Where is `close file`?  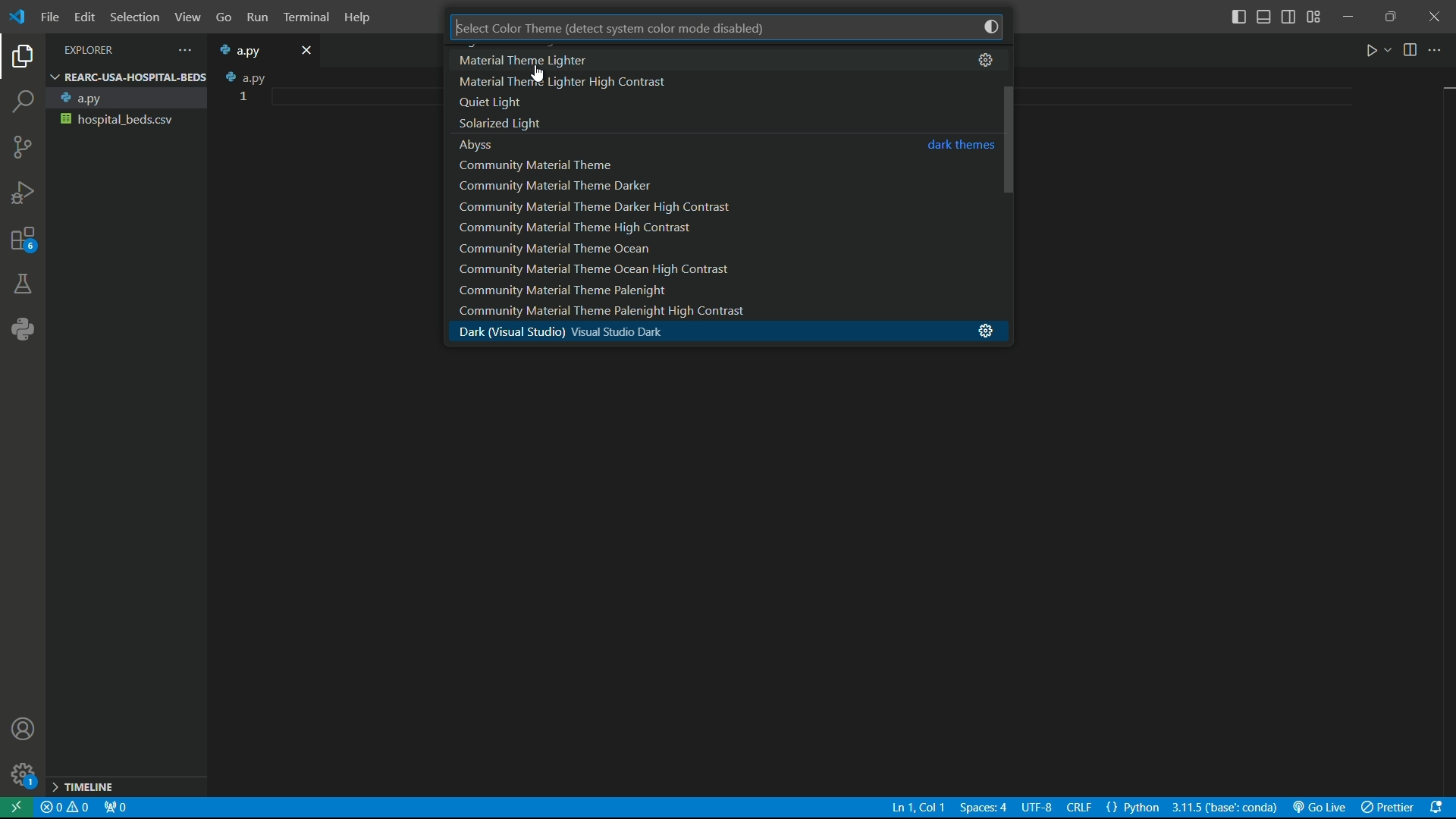 close file is located at coordinates (308, 49).